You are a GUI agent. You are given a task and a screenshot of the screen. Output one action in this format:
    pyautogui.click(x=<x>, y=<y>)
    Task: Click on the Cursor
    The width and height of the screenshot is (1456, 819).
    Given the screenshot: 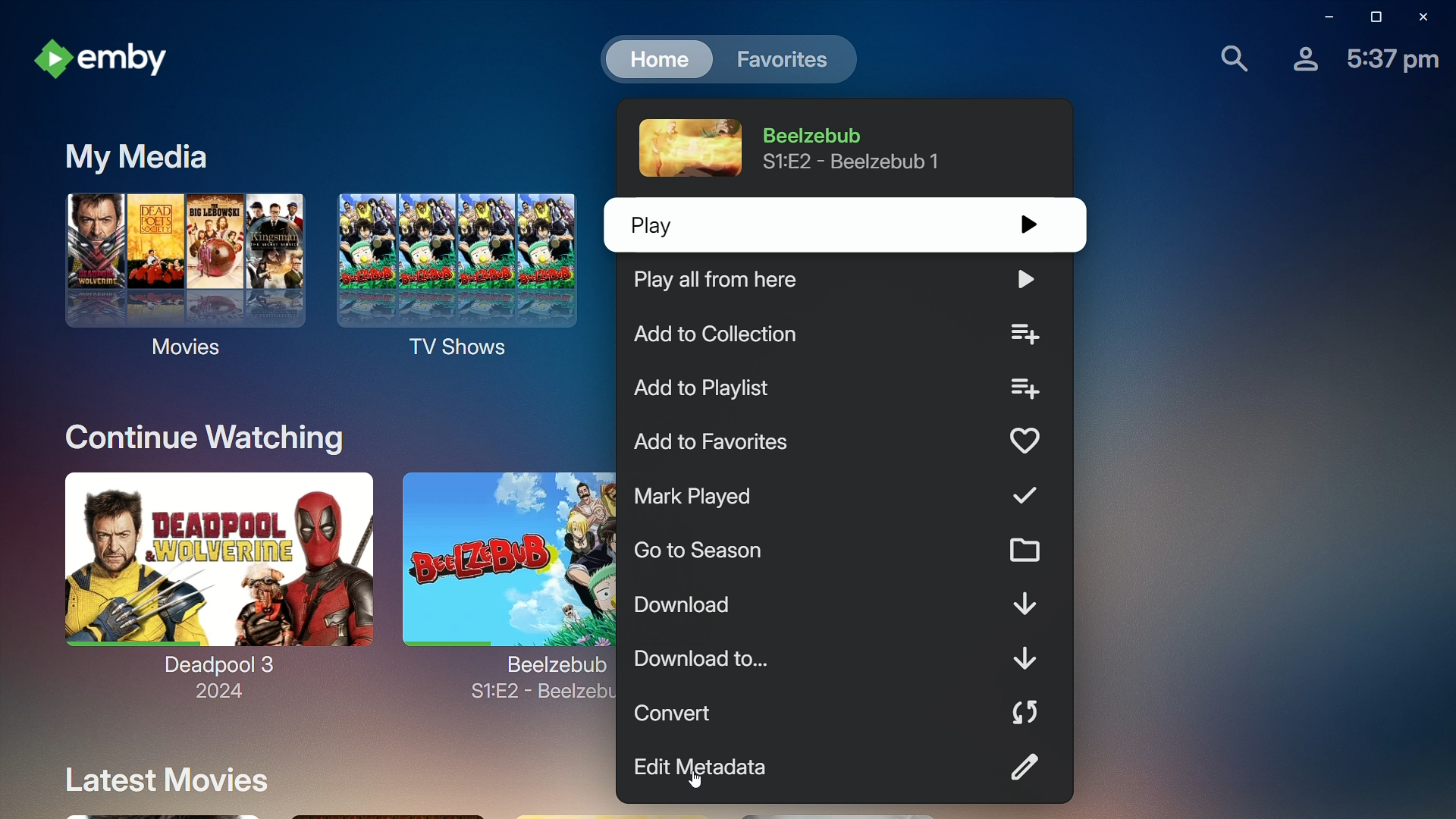 What is the action you would take?
    pyautogui.click(x=695, y=780)
    